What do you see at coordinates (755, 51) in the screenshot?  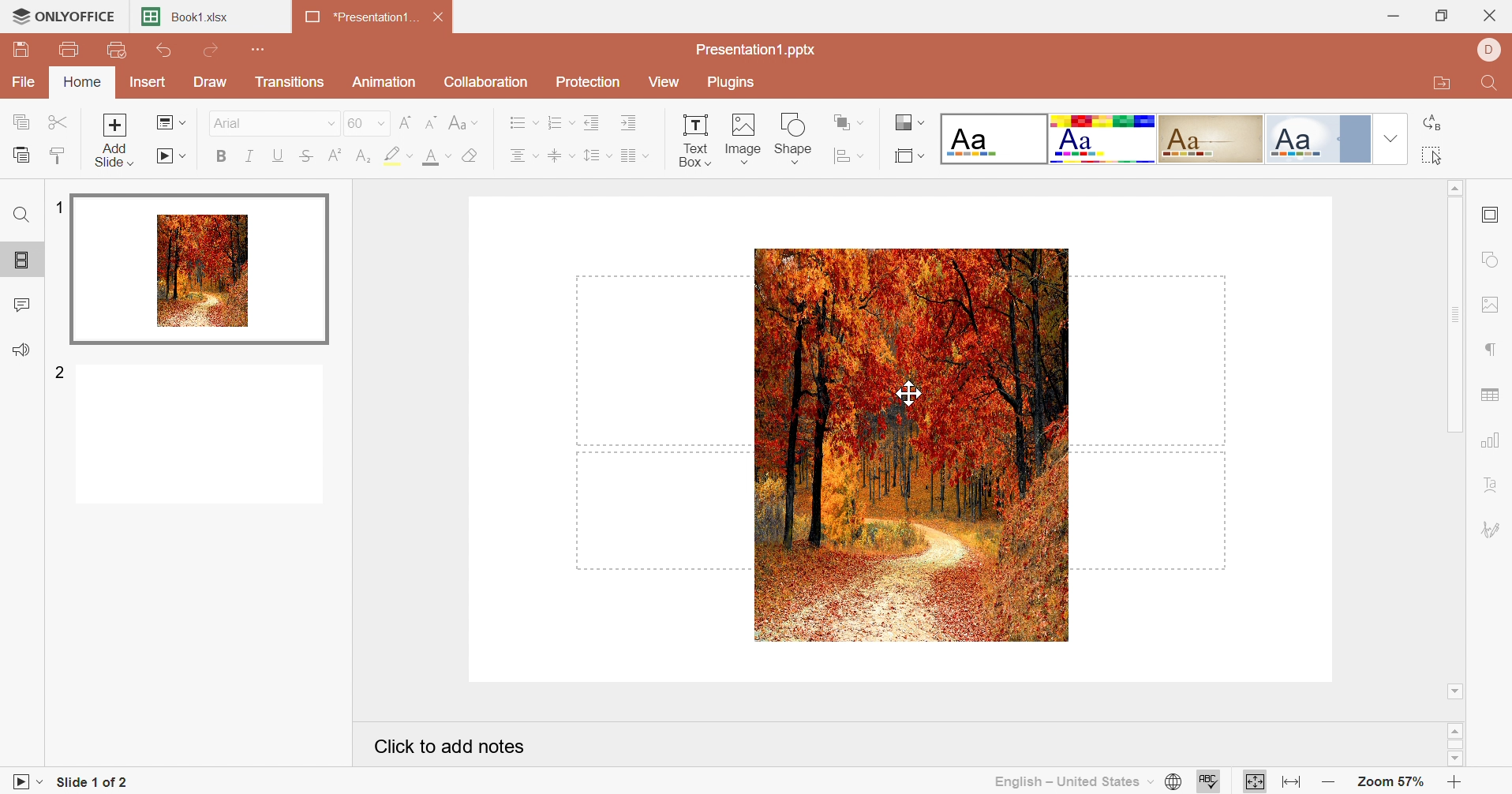 I see `Presentation1.pptx` at bounding box center [755, 51].